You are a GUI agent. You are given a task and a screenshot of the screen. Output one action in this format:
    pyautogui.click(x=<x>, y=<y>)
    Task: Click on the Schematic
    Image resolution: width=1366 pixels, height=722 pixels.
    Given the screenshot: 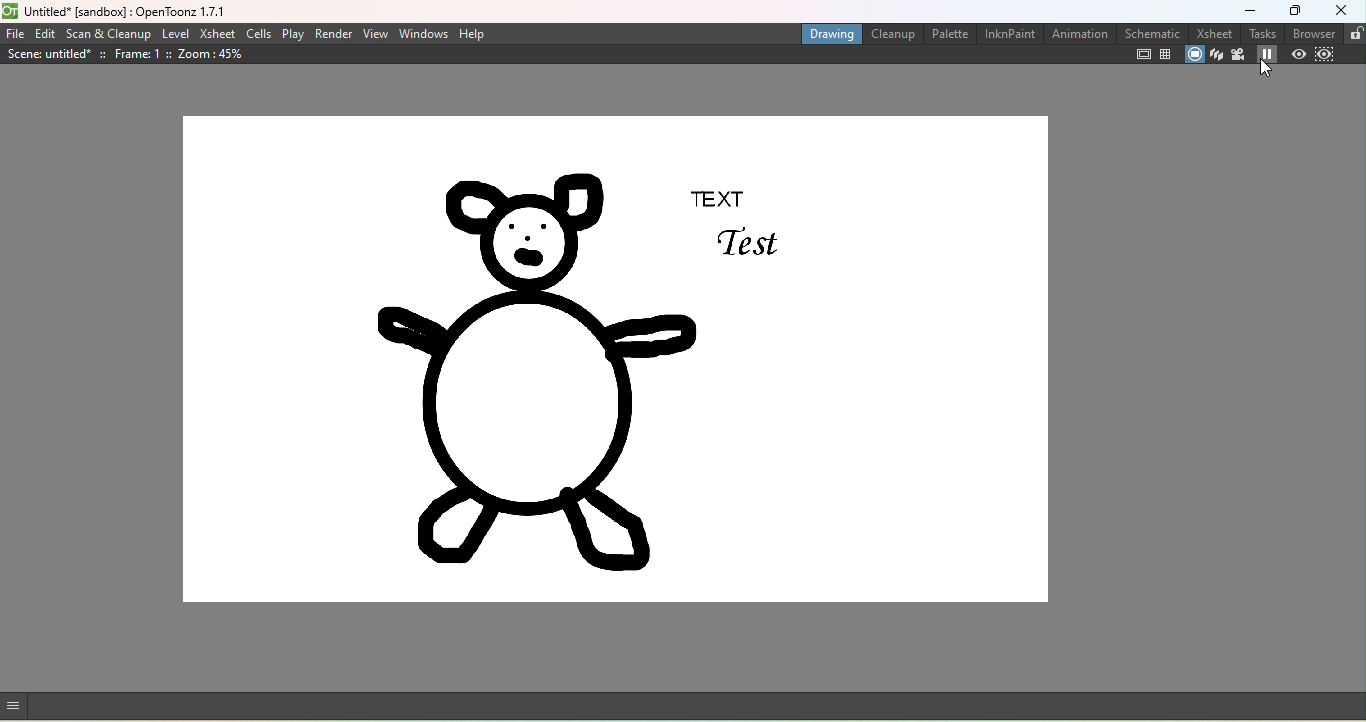 What is the action you would take?
    pyautogui.click(x=1153, y=33)
    